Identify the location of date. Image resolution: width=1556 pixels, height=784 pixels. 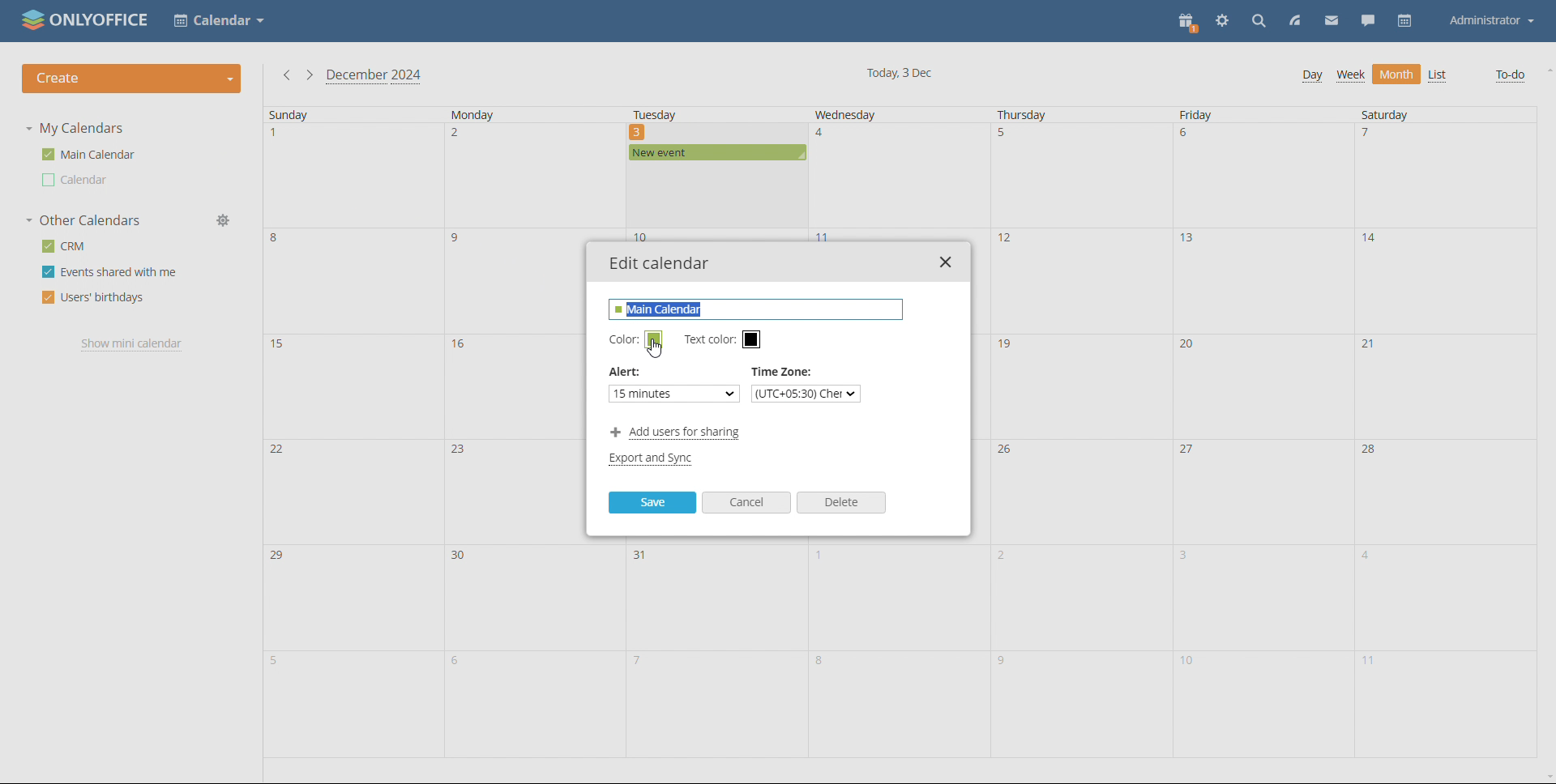
(532, 596).